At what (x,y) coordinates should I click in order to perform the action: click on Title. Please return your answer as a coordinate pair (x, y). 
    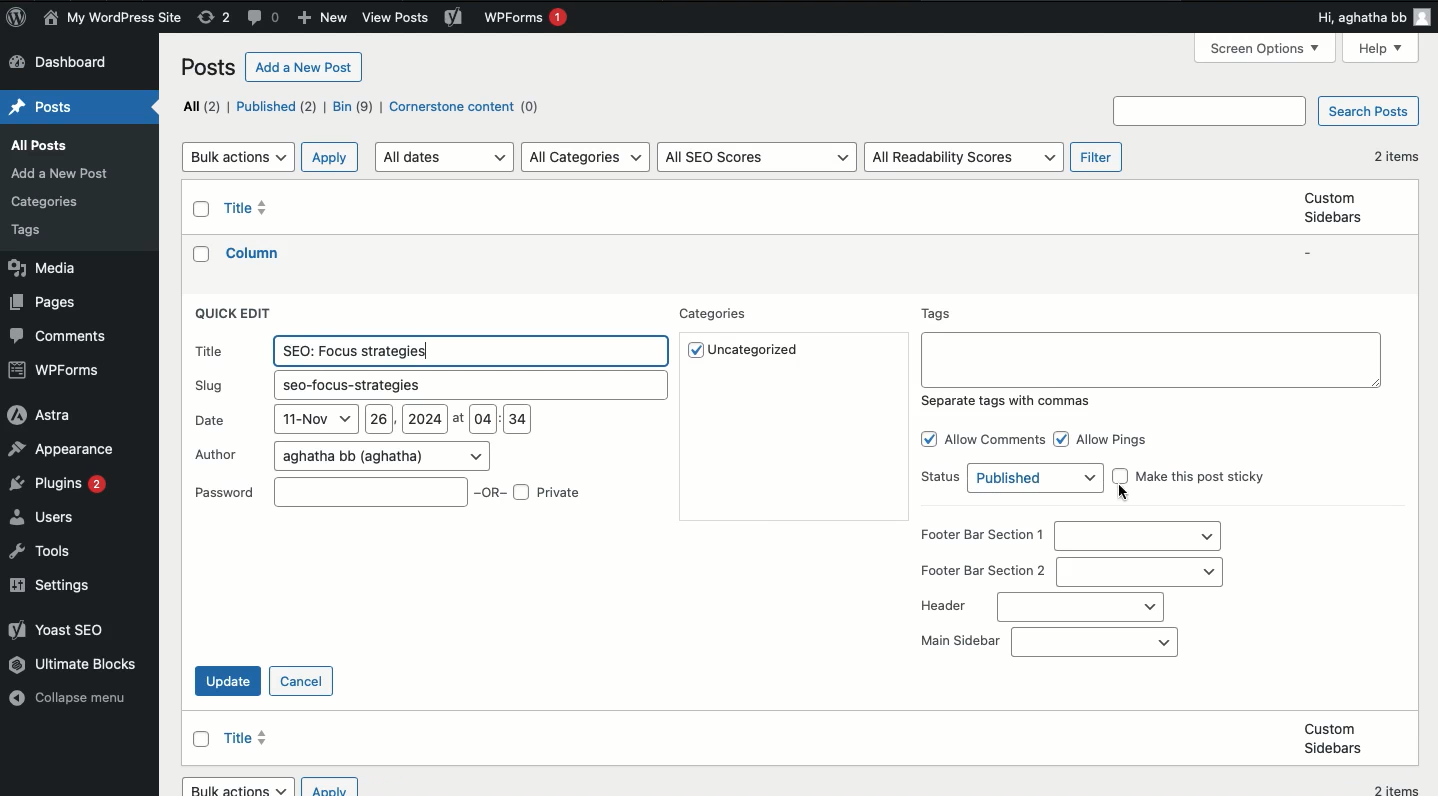
    Looking at the image, I should click on (256, 252).